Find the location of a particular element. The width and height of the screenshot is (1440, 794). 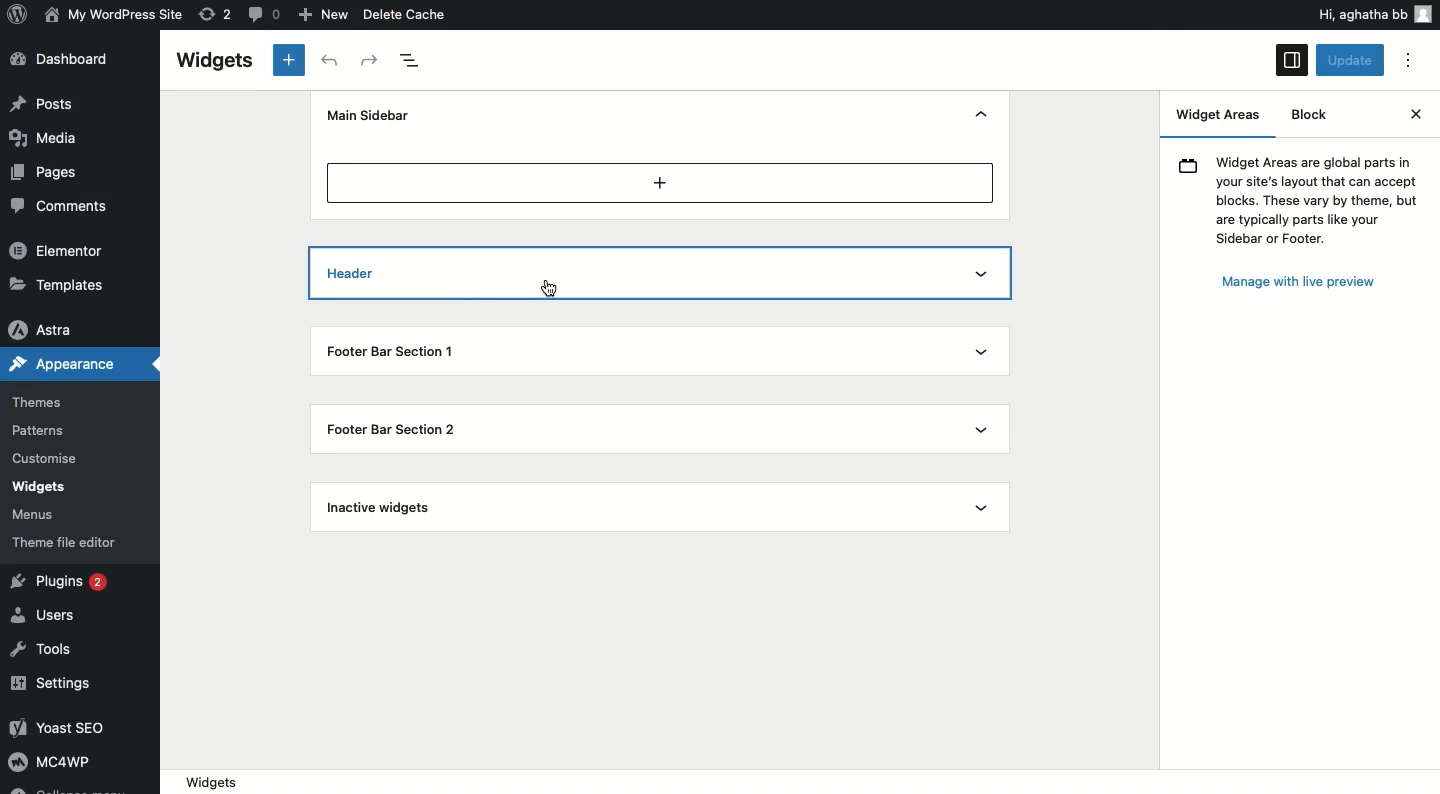

Widgets is located at coordinates (38, 487).